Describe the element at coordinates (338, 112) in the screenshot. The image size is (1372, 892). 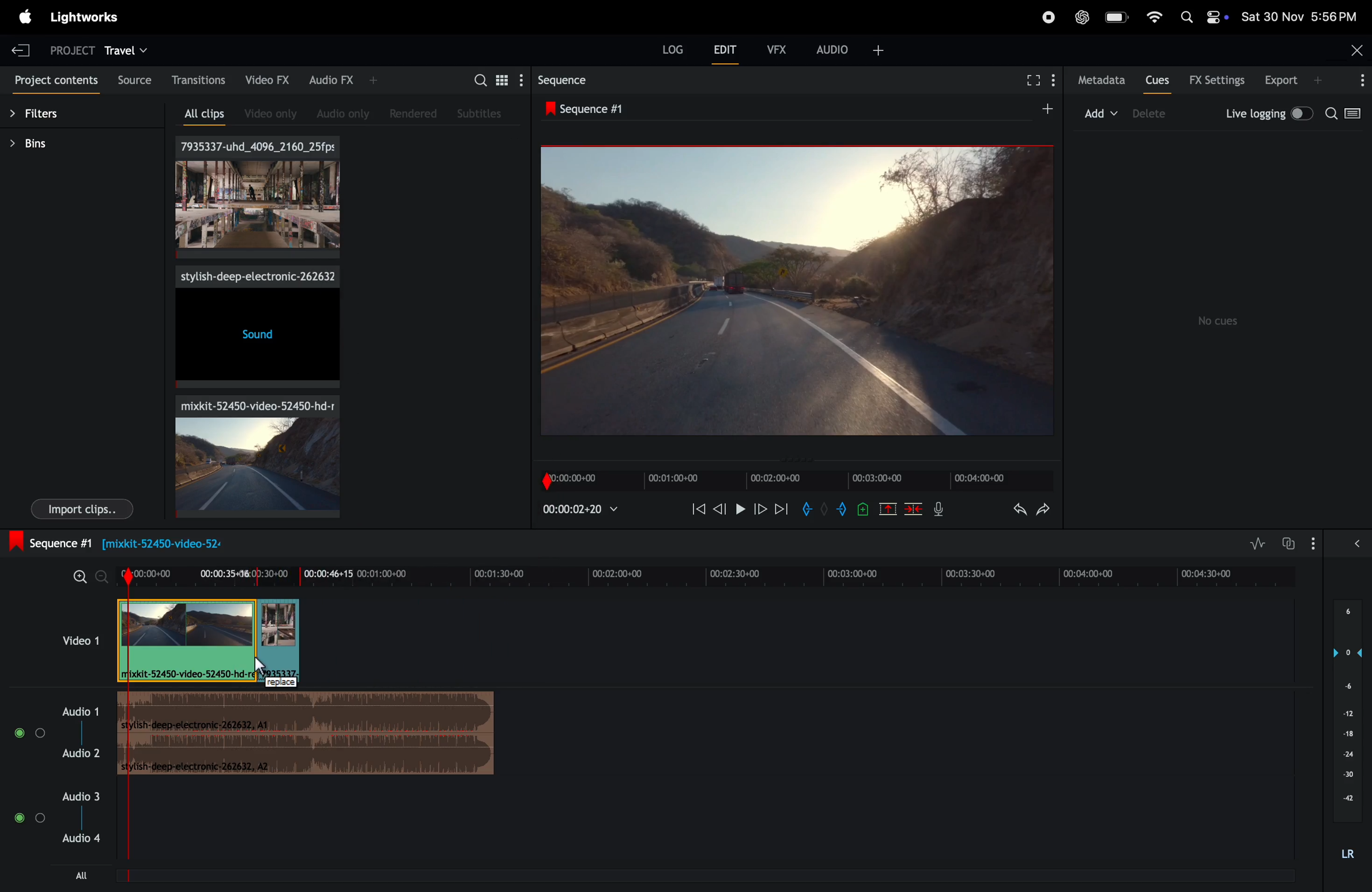
I see `audio only` at that location.